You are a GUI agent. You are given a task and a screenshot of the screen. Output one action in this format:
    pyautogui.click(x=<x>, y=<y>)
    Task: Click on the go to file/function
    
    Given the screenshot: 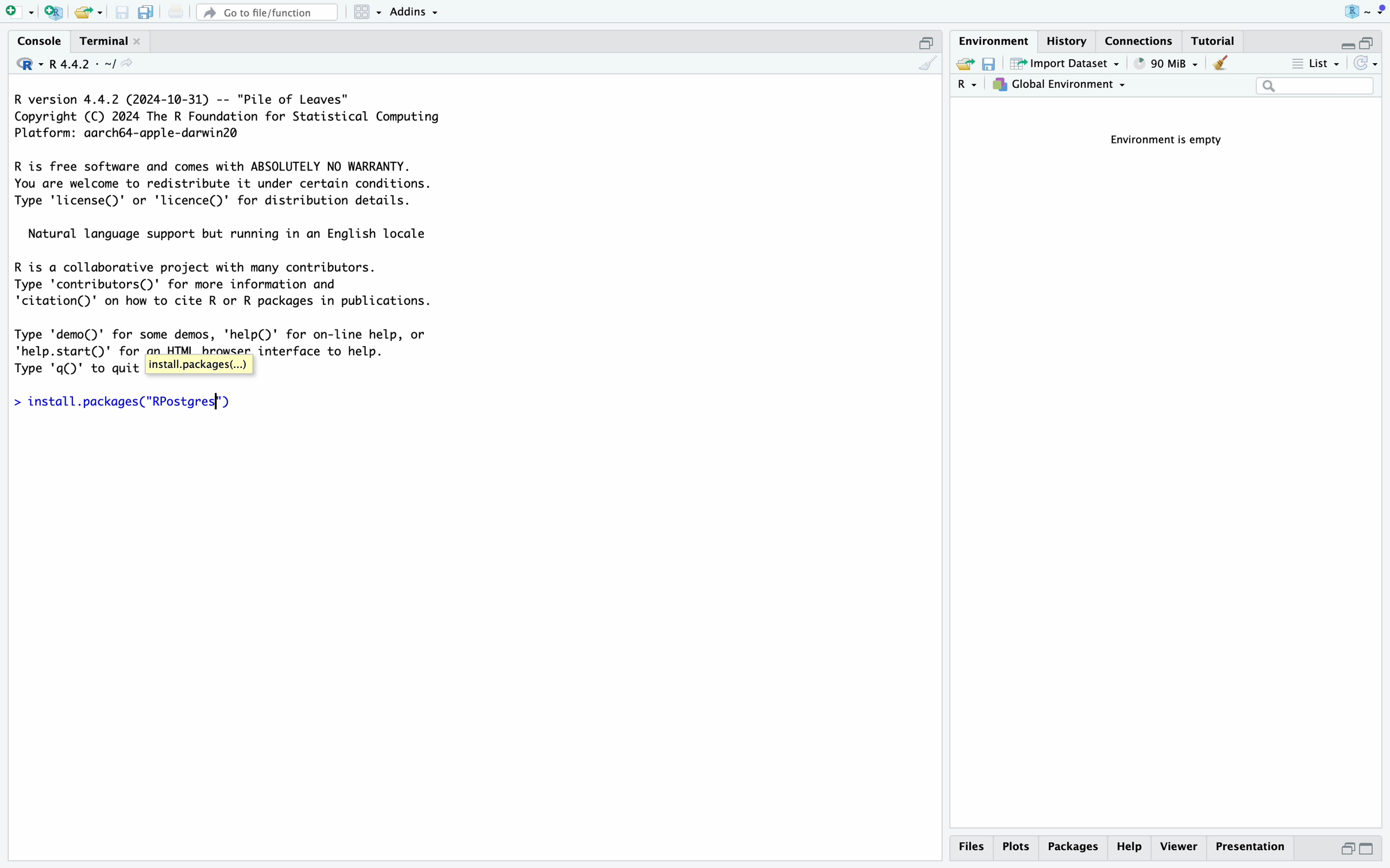 What is the action you would take?
    pyautogui.click(x=266, y=10)
    